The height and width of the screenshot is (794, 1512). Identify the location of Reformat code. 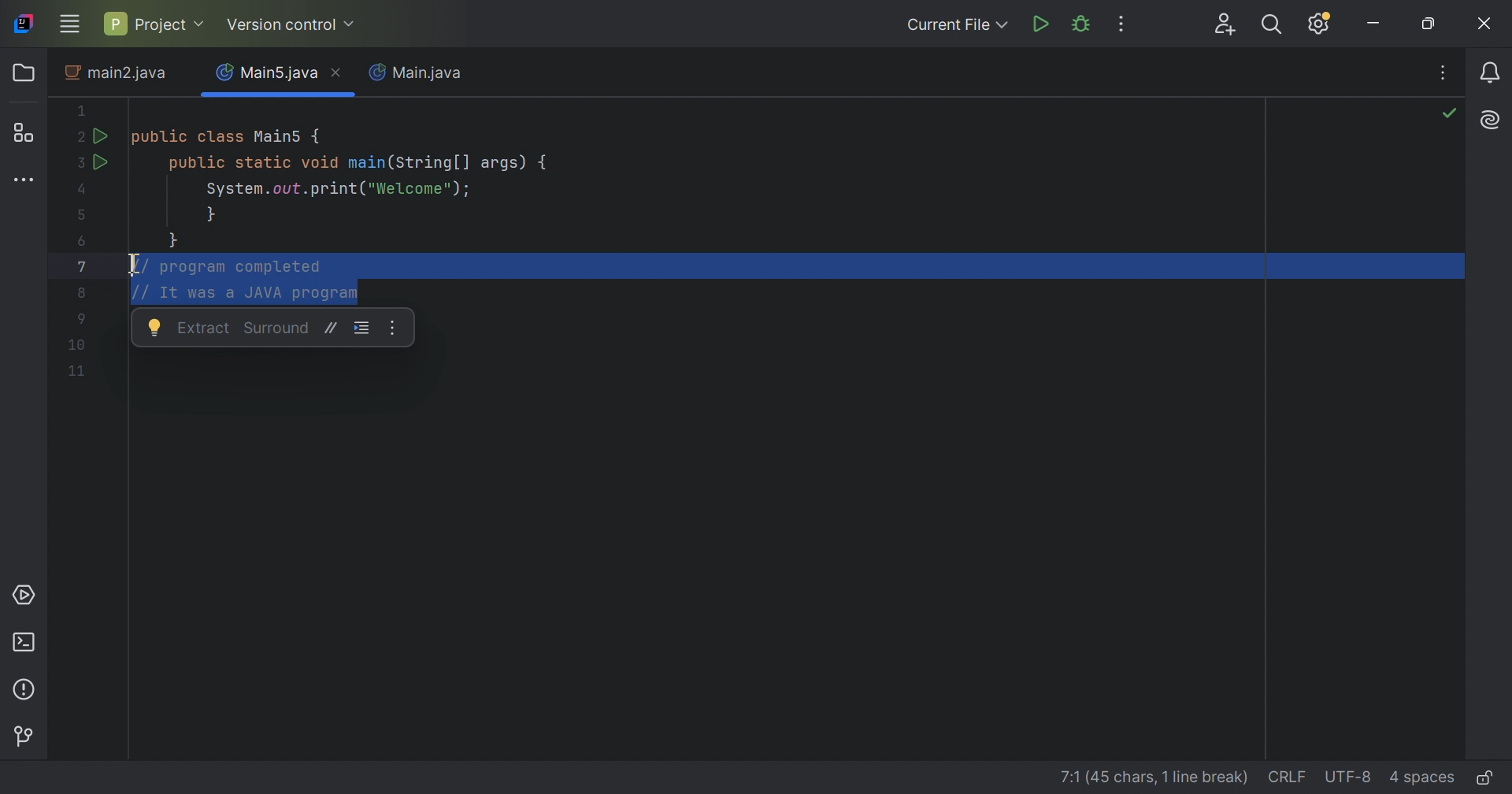
(362, 328).